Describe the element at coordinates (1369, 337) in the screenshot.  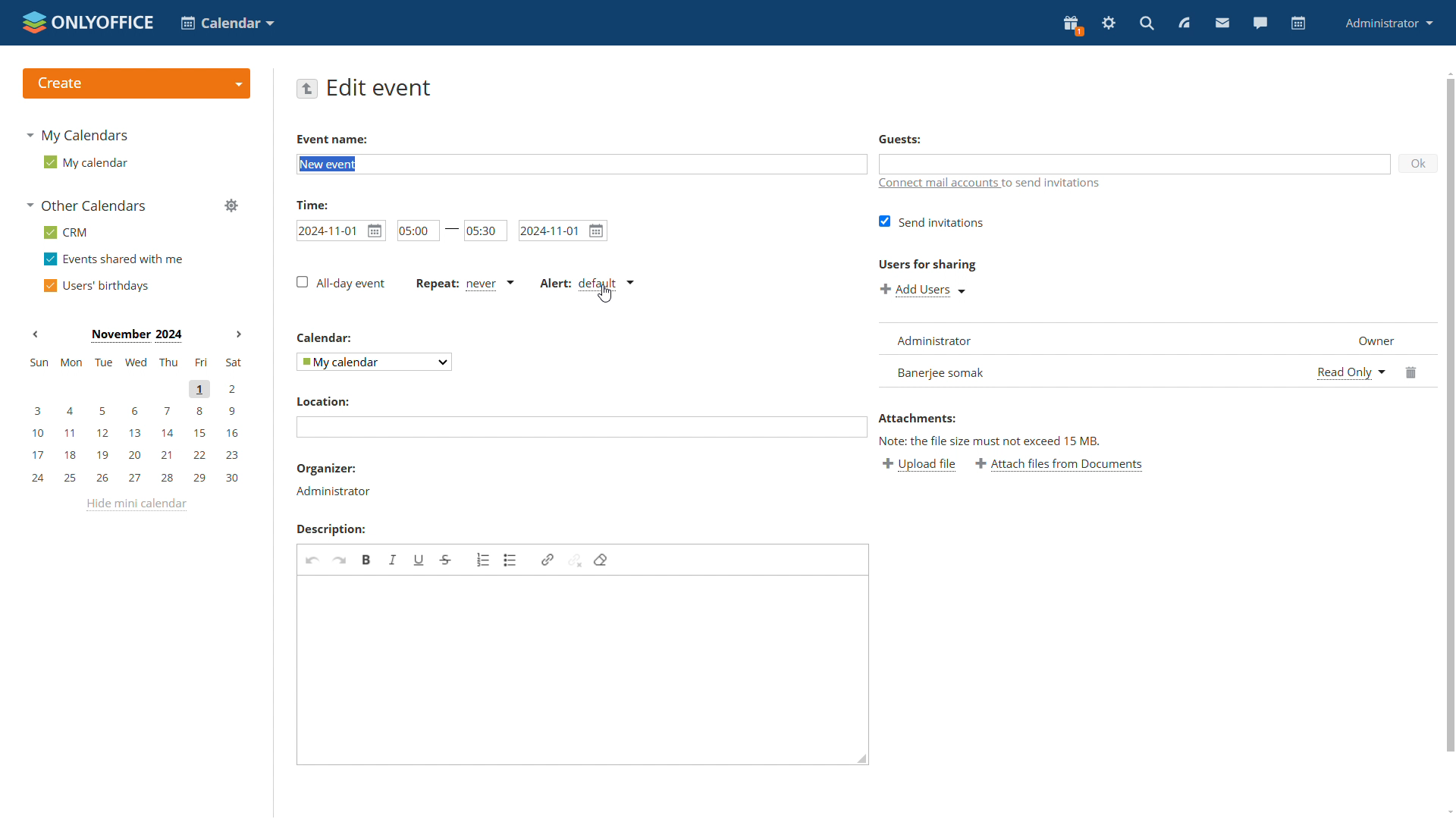
I see `designation` at that location.